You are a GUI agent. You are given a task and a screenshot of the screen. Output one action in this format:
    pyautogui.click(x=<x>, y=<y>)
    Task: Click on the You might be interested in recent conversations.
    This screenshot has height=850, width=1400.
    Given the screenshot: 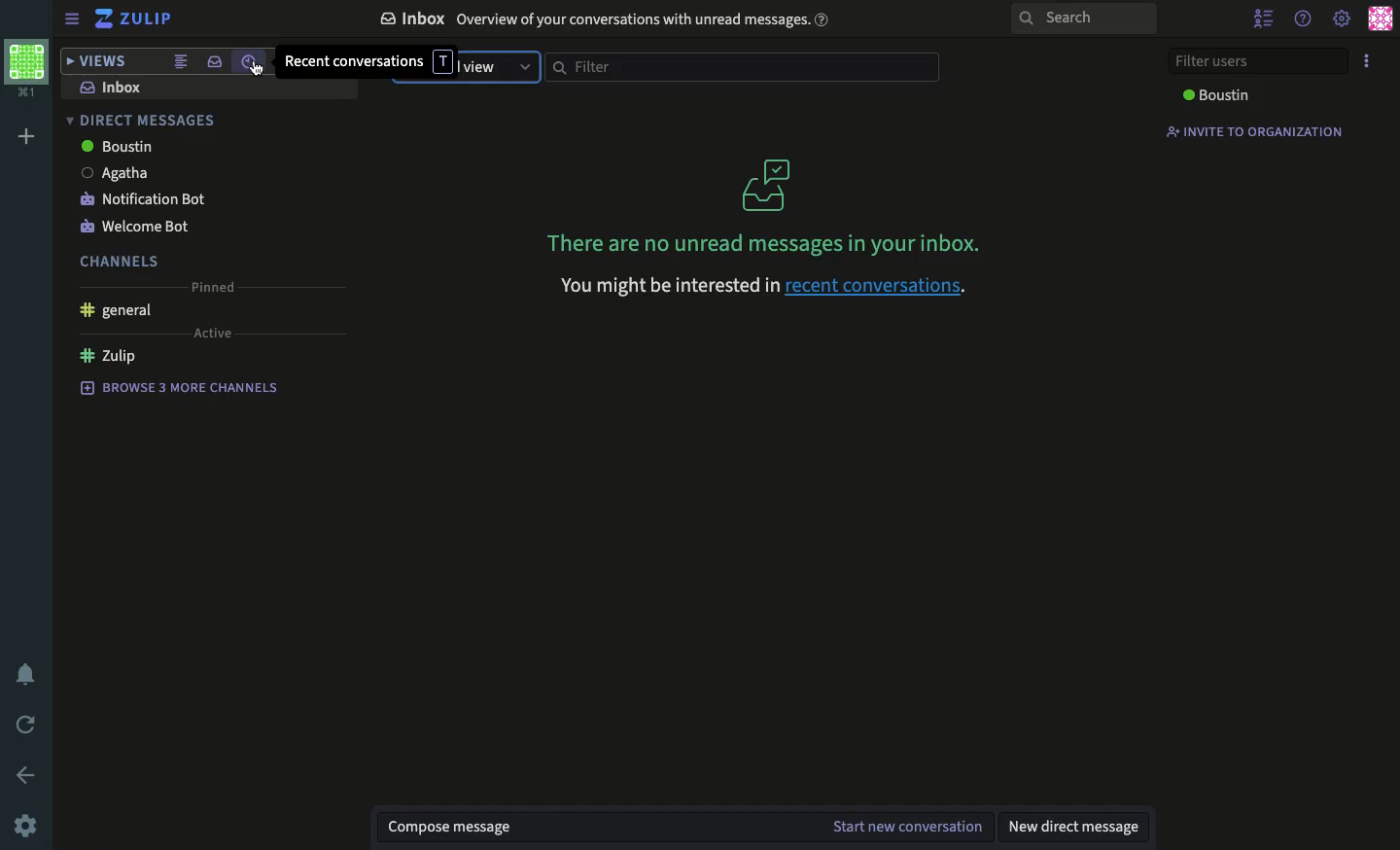 What is the action you would take?
    pyautogui.click(x=766, y=290)
    